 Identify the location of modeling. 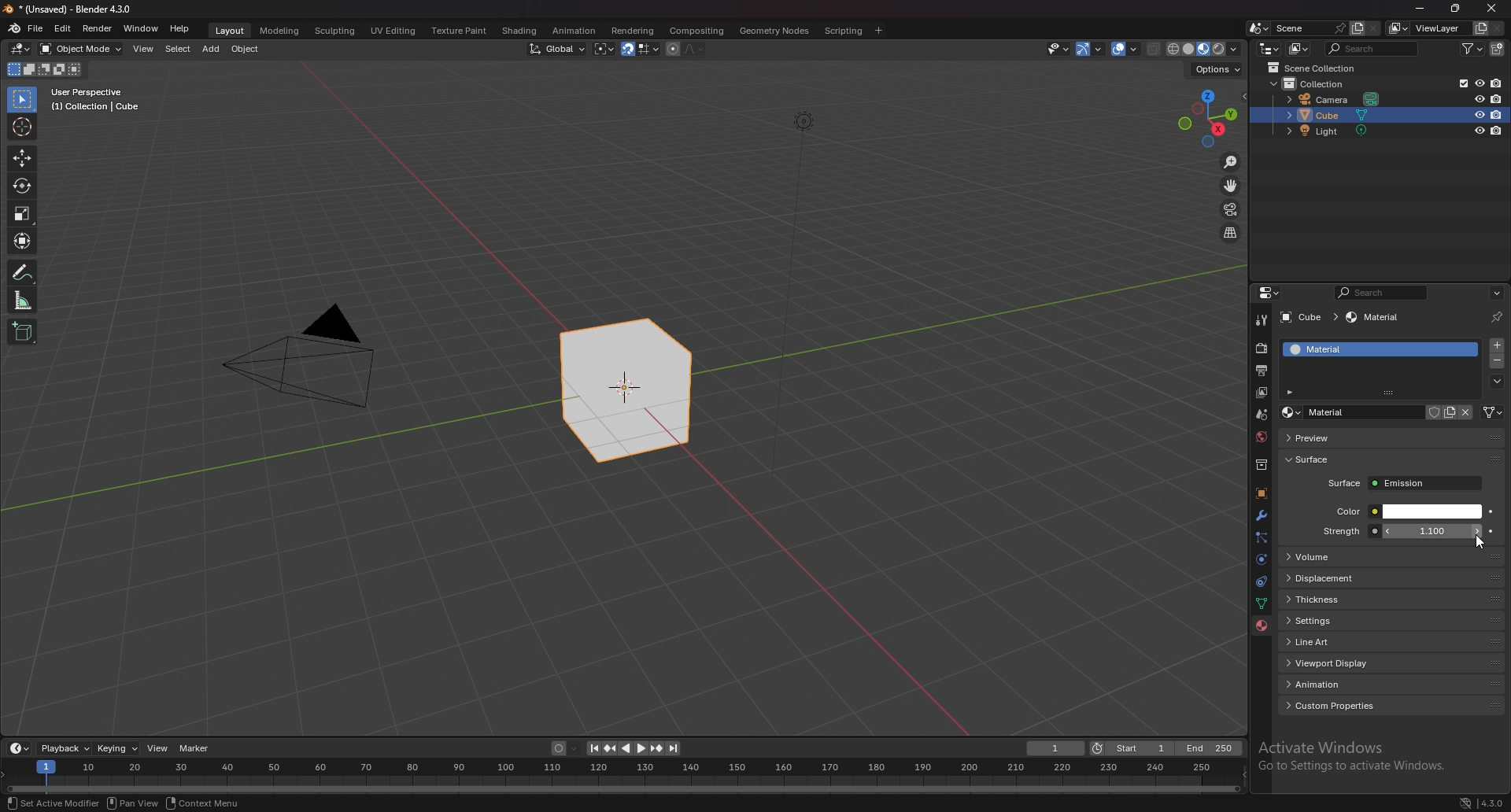
(279, 30).